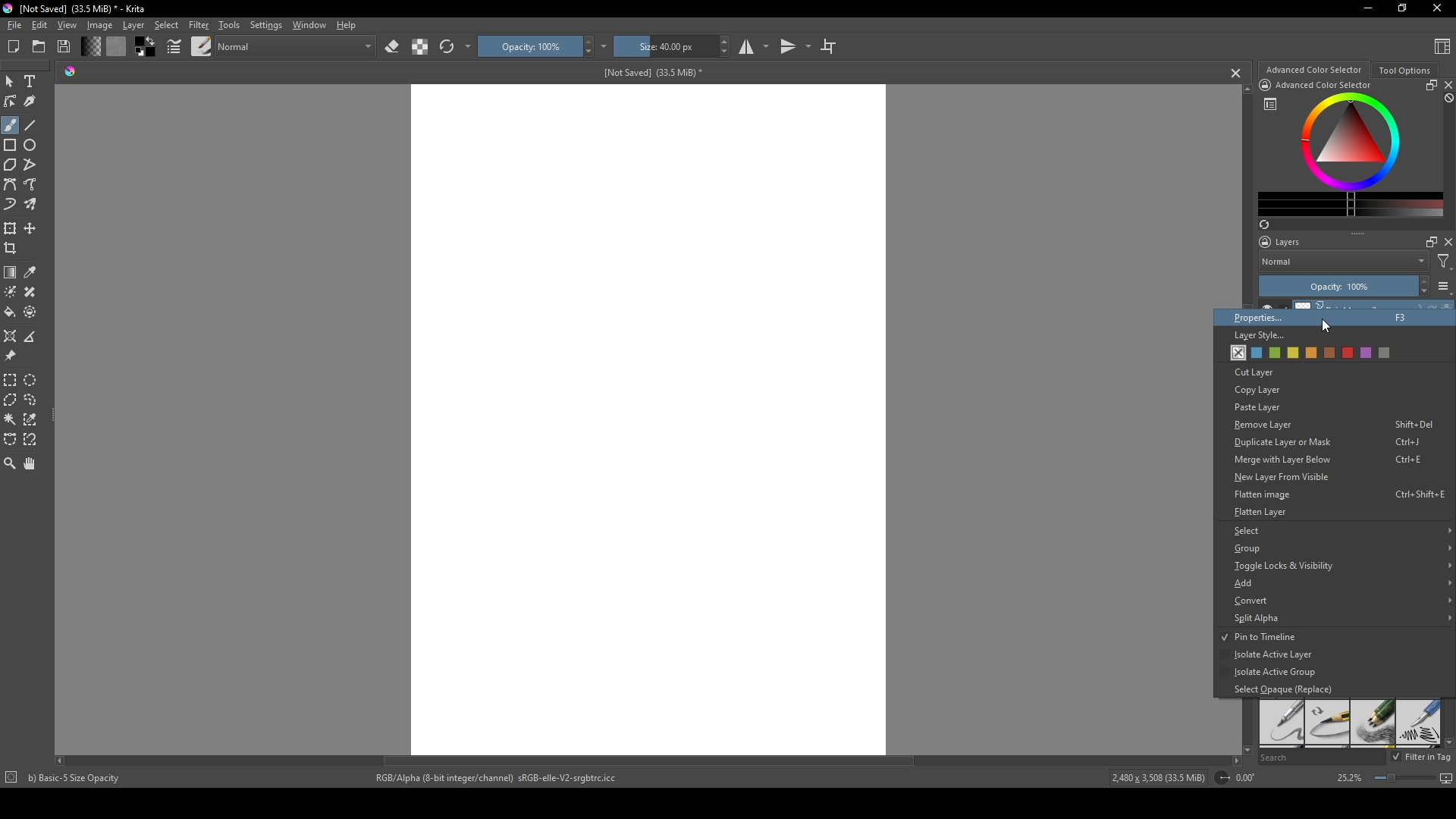 This screenshot has width=1456, height=819. Describe the element at coordinates (650, 73) in the screenshot. I see `[Not Saved] (33.5 MiB)` at that location.